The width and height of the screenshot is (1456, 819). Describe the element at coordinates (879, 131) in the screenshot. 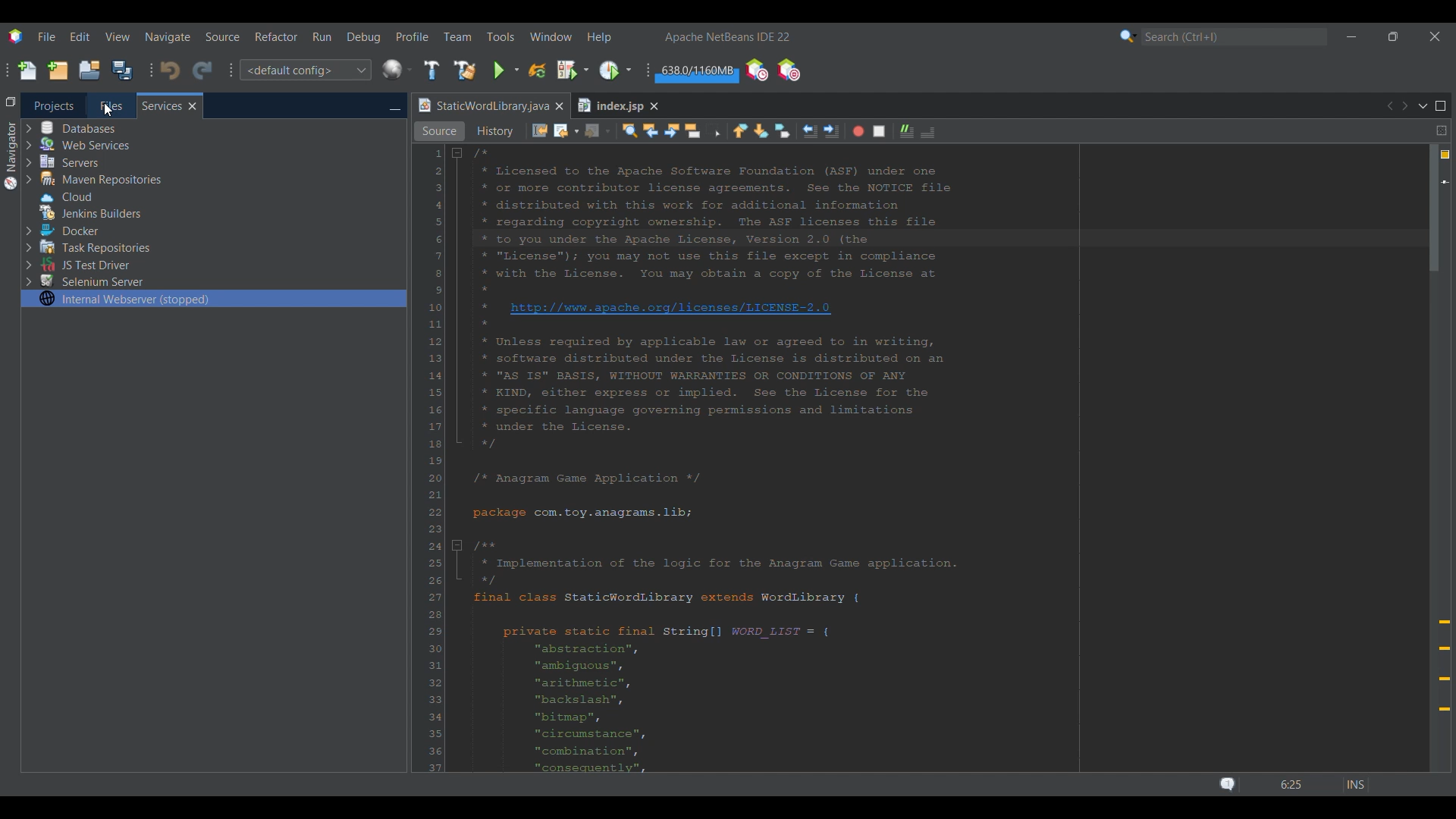

I see `Stop macro recording` at that location.